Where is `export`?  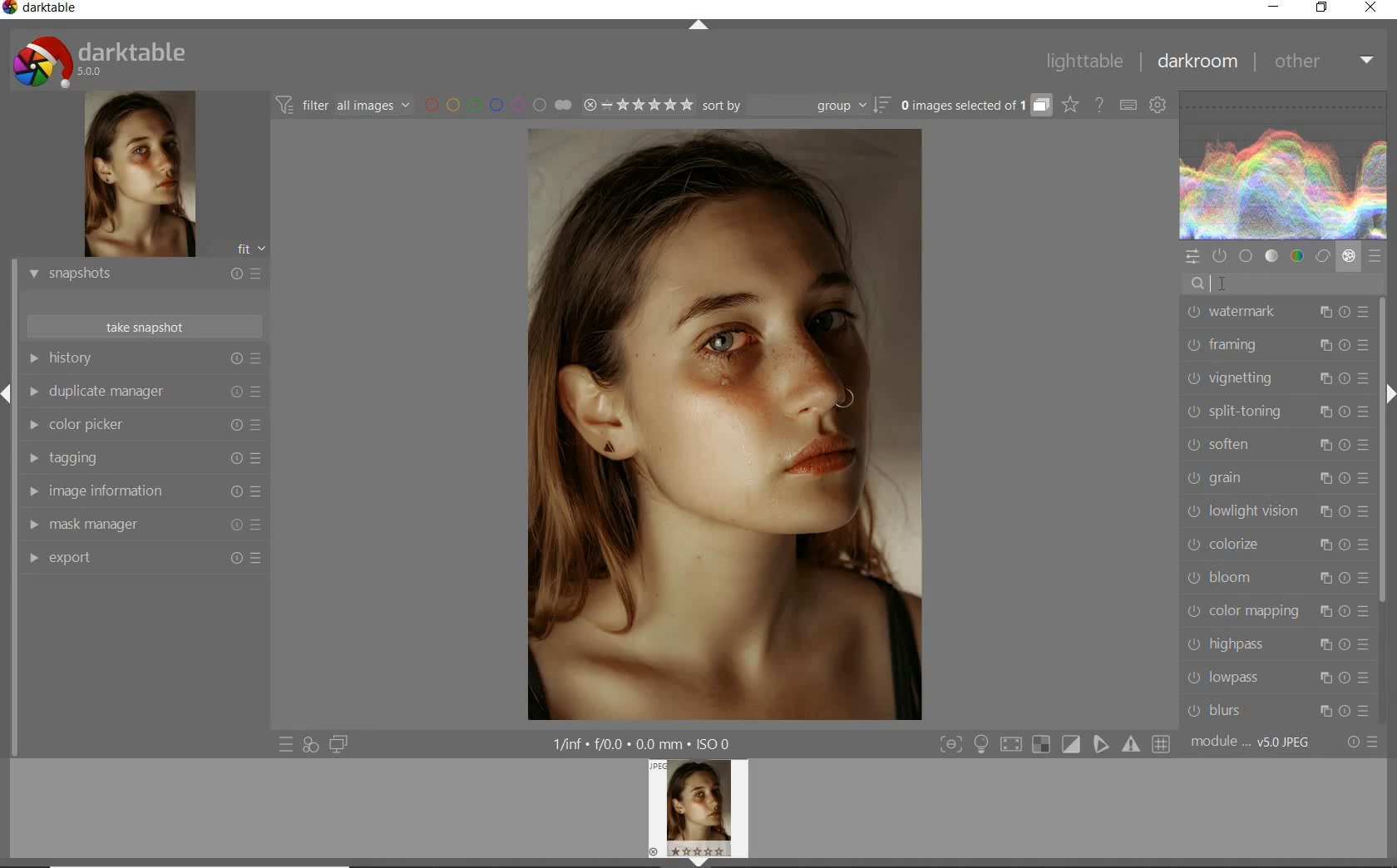
export is located at coordinates (142, 561).